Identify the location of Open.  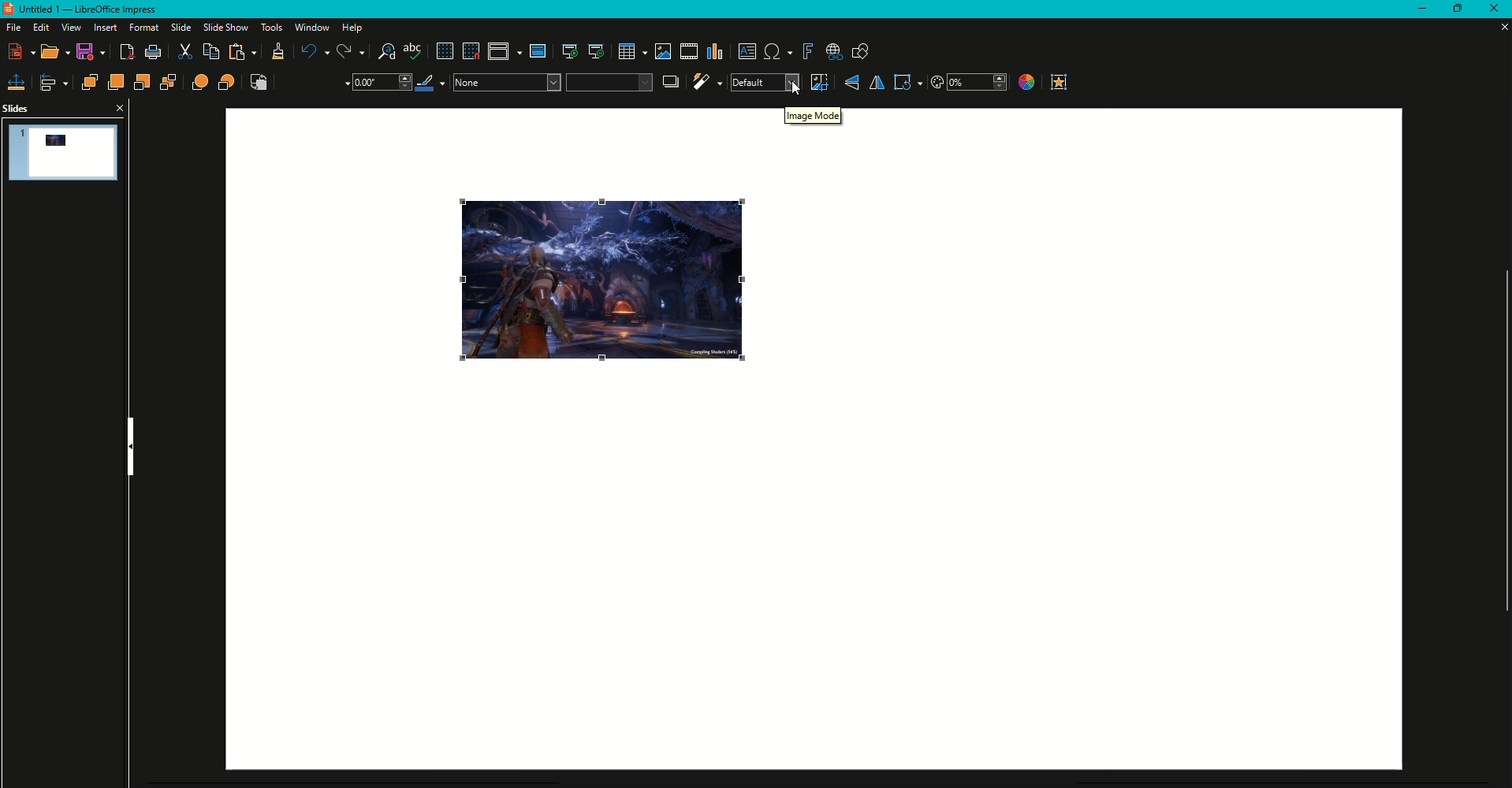
(56, 53).